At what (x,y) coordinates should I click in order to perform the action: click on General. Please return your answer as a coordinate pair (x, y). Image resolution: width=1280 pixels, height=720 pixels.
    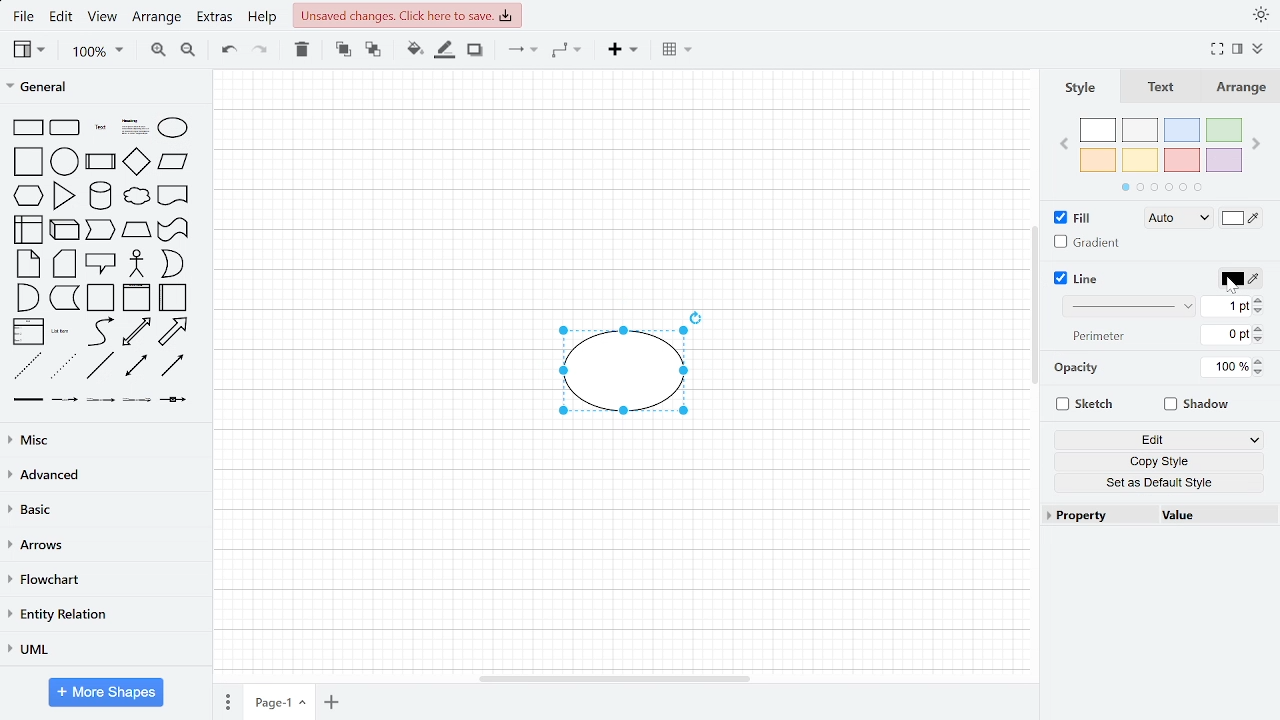
    Looking at the image, I should click on (102, 89).